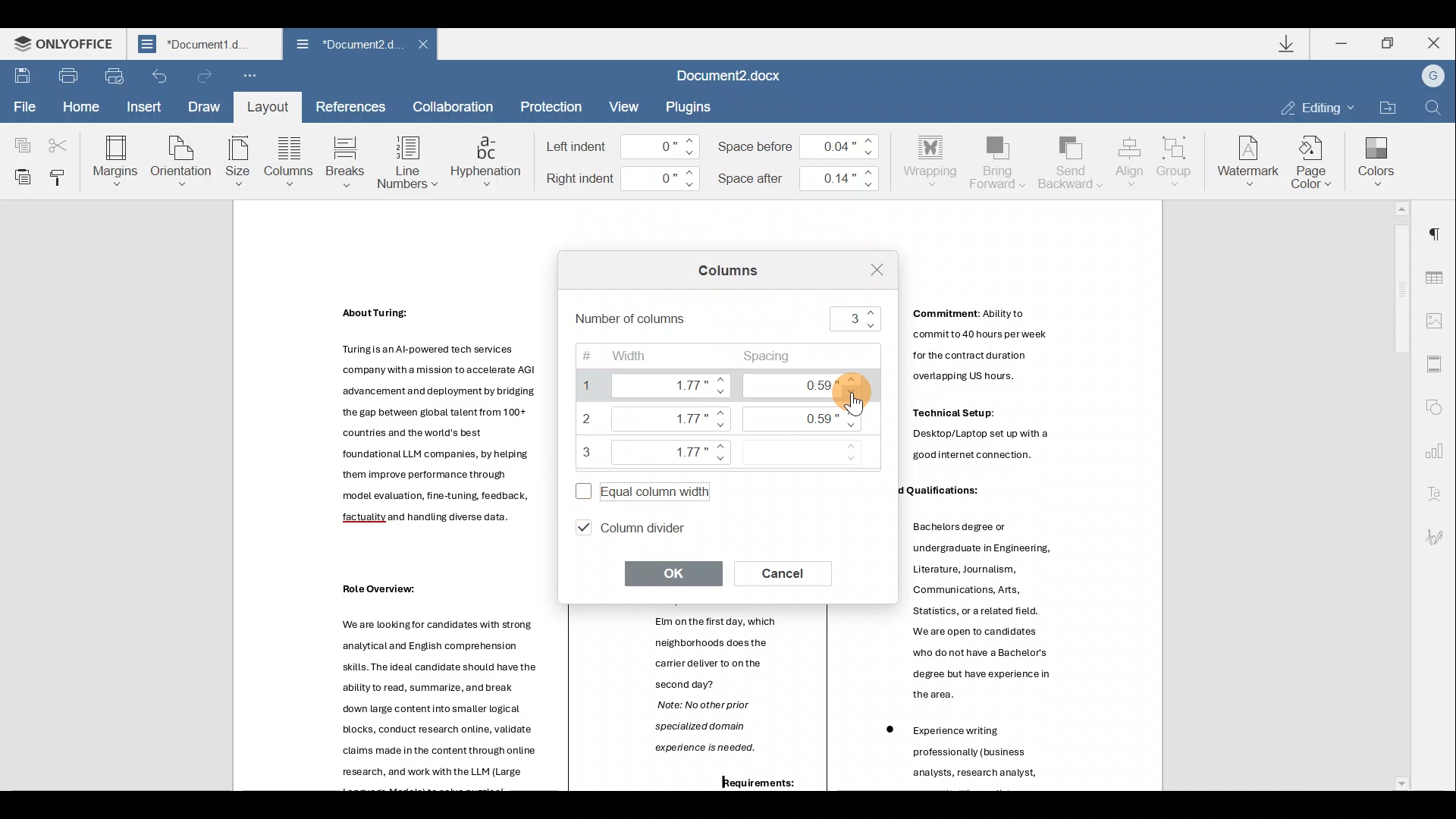 Image resolution: width=1456 pixels, height=819 pixels. What do you see at coordinates (1441, 452) in the screenshot?
I see `Chart settings` at bounding box center [1441, 452].